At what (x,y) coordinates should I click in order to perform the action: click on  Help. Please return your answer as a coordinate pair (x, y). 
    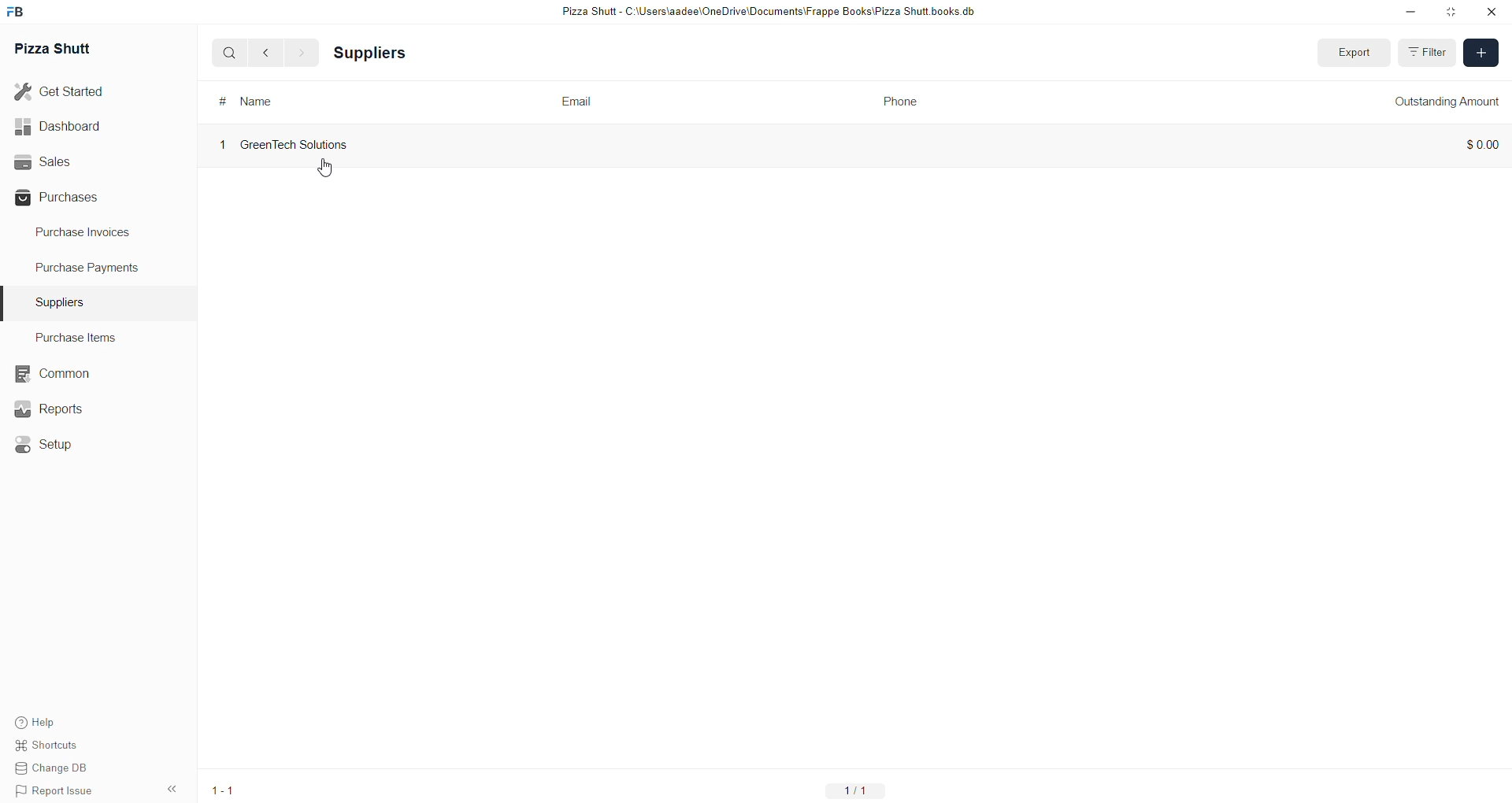
    Looking at the image, I should click on (57, 723).